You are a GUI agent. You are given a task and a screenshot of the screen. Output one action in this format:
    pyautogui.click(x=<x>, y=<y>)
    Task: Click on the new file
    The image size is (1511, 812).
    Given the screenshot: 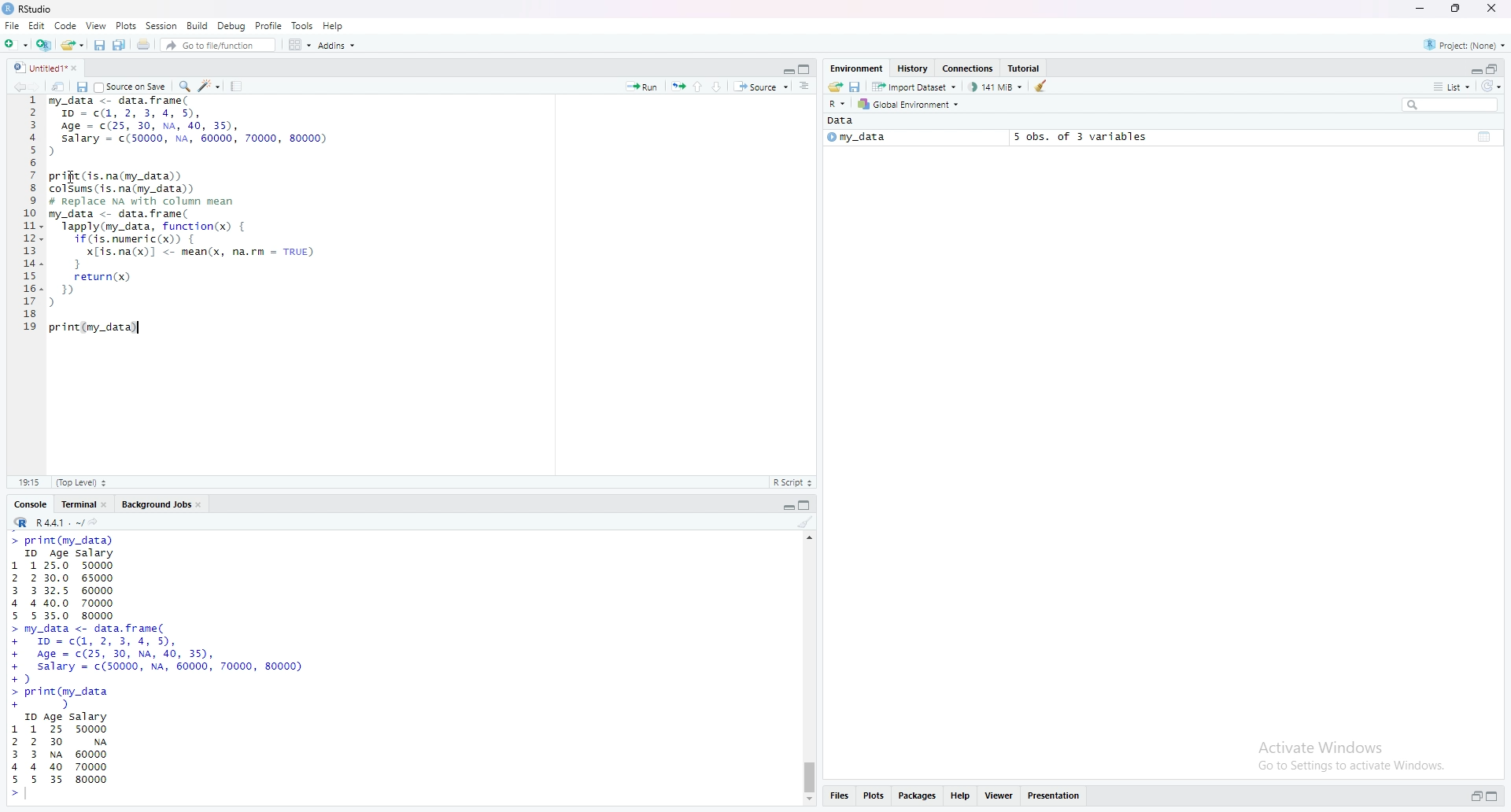 What is the action you would take?
    pyautogui.click(x=17, y=45)
    